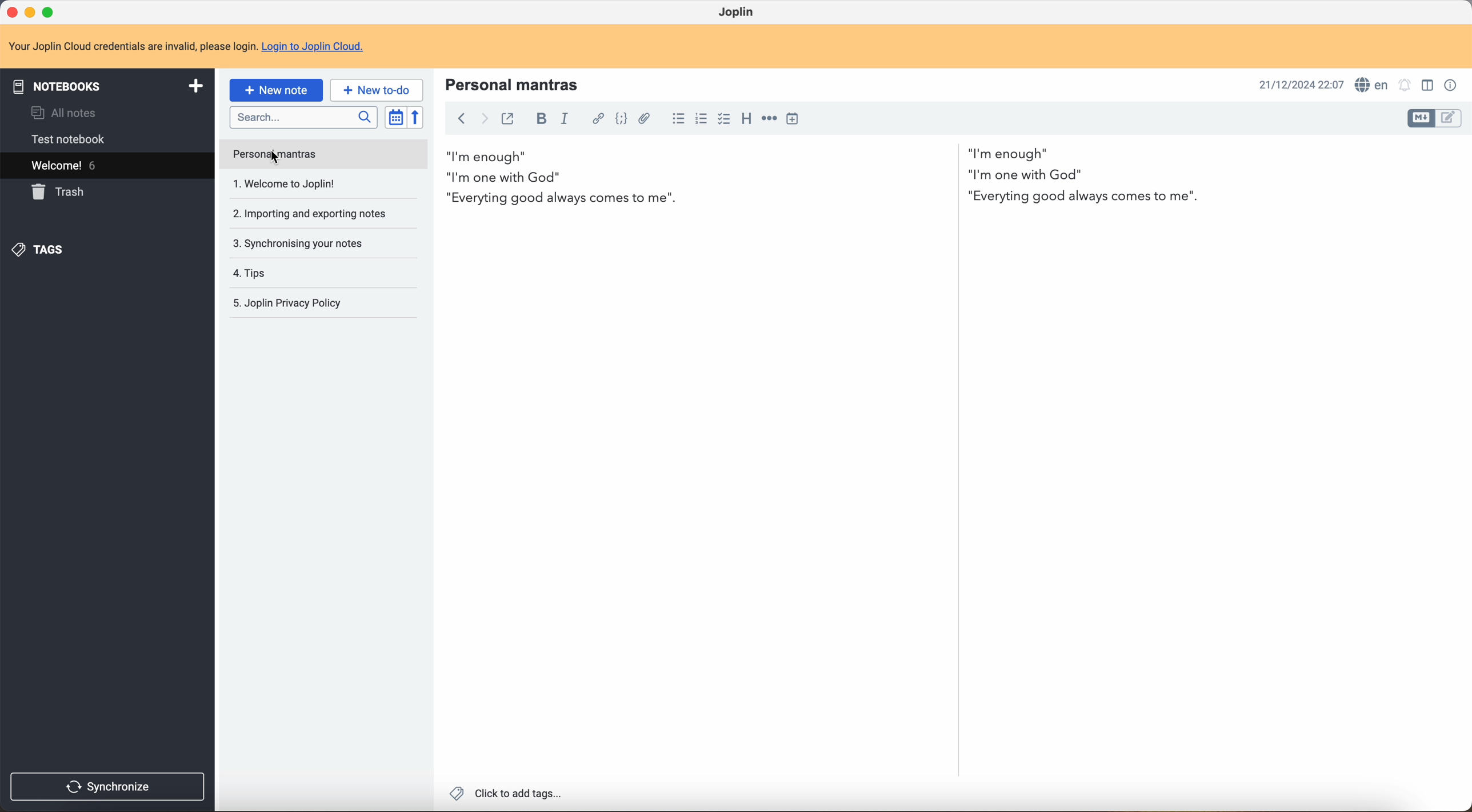 This screenshot has height=812, width=1472. What do you see at coordinates (1421, 119) in the screenshot?
I see `toggle editor layout` at bounding box center [1421, 119].